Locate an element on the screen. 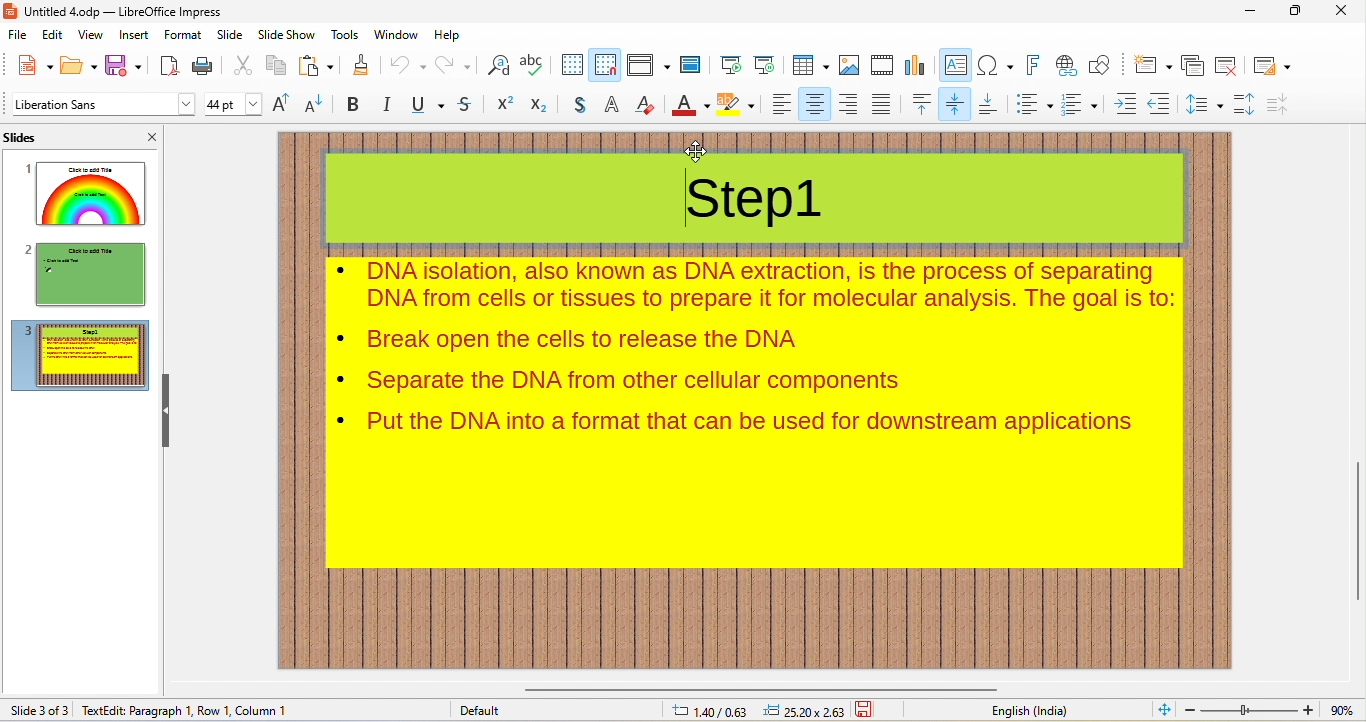 The image size is (1366, 722). maximize is located at coordinates (1298, 10).